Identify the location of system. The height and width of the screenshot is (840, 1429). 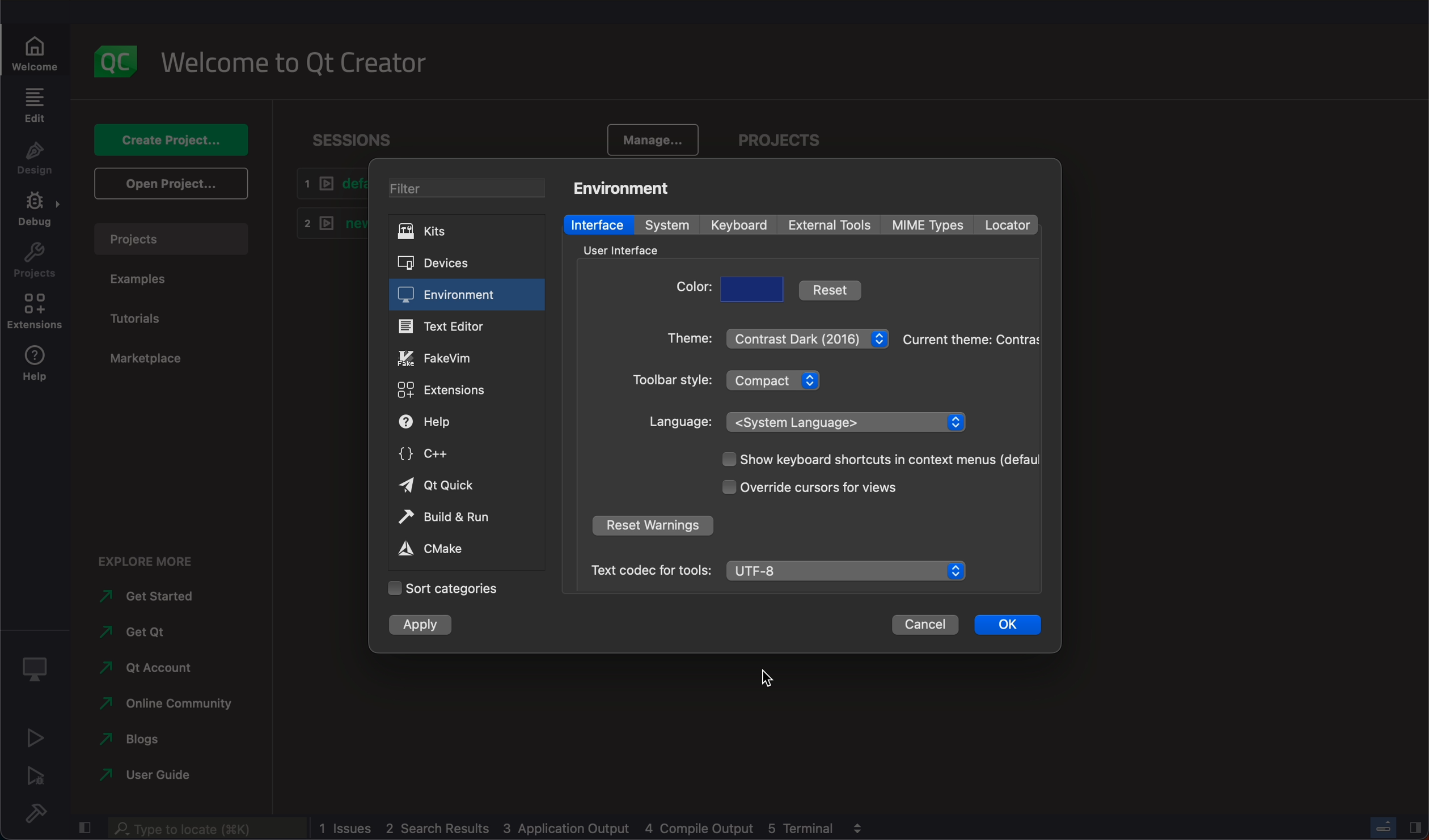
(672, 226).